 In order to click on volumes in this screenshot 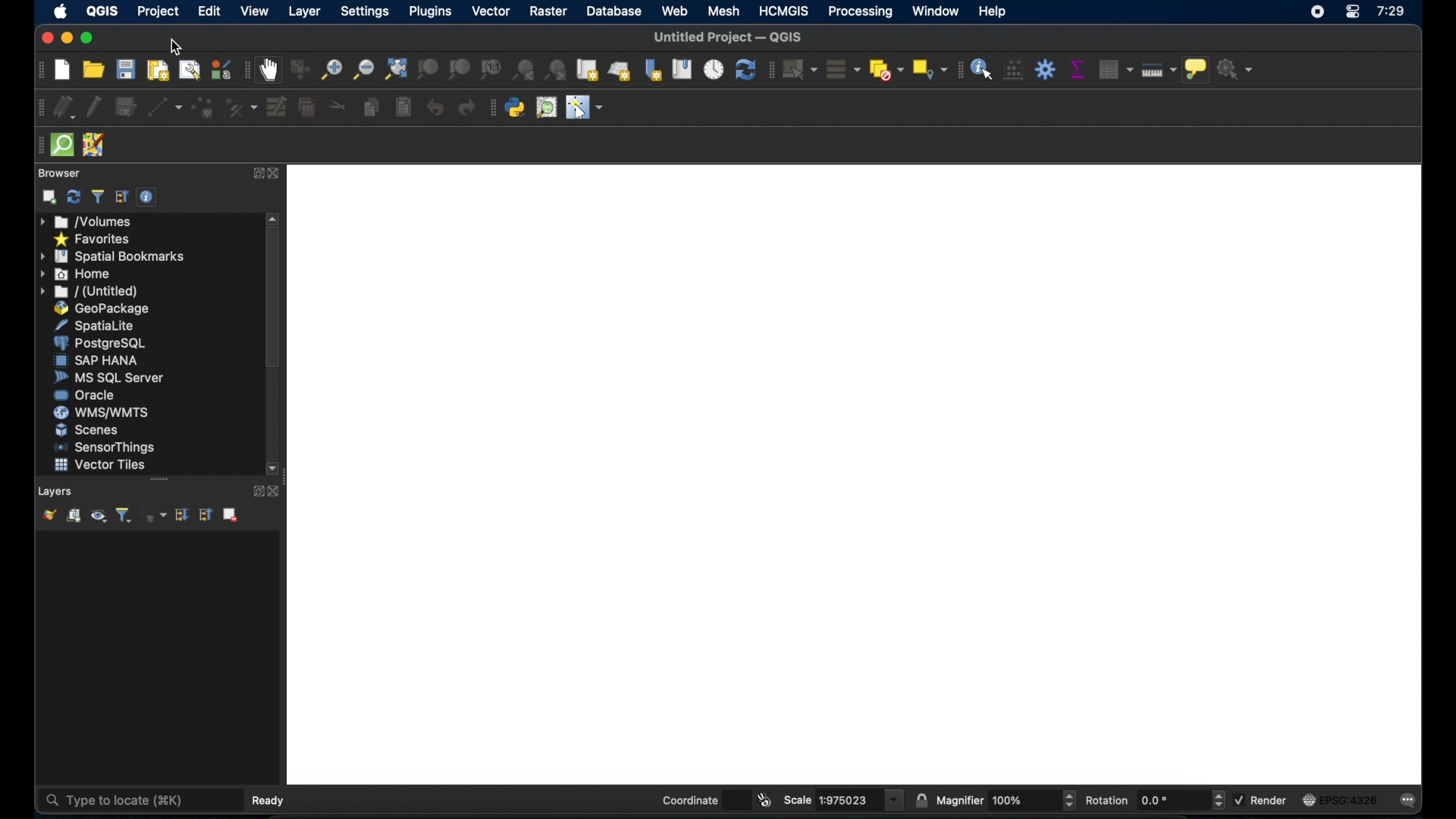, I will do `click(90, 221)`.